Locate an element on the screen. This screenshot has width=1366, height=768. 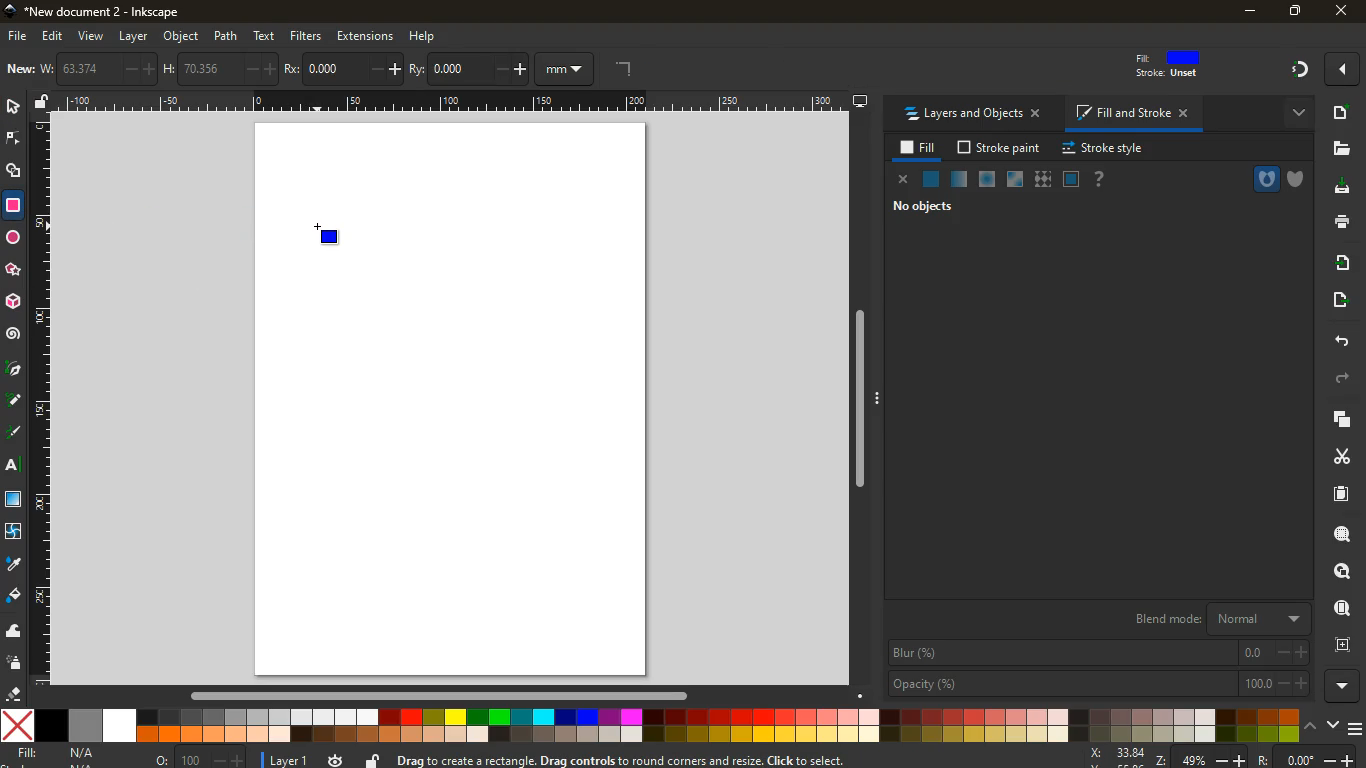
spray is located at coordinates (15, 663).